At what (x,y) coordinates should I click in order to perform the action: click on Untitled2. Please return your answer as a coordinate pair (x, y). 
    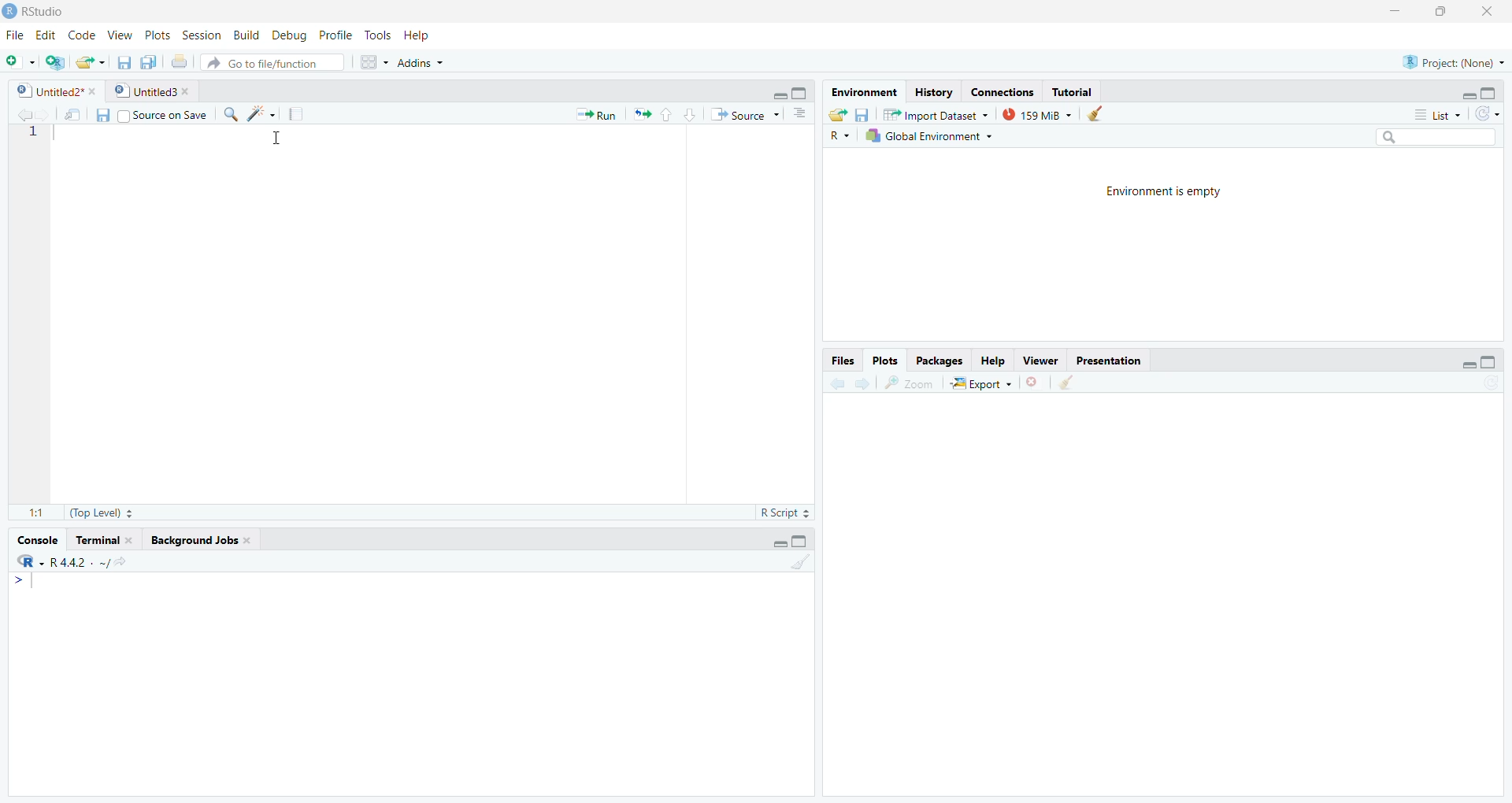
    Looking at the image, I should click on (55, 91).